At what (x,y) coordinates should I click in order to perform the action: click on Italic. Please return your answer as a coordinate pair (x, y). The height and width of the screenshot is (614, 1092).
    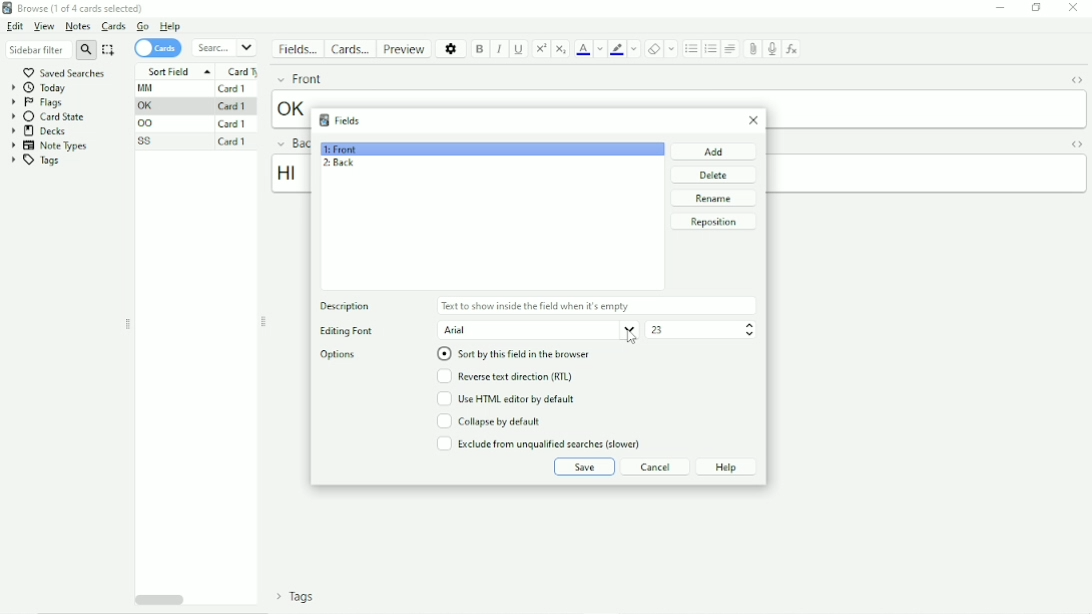
    Looking at the image, I should click on (500, 49).